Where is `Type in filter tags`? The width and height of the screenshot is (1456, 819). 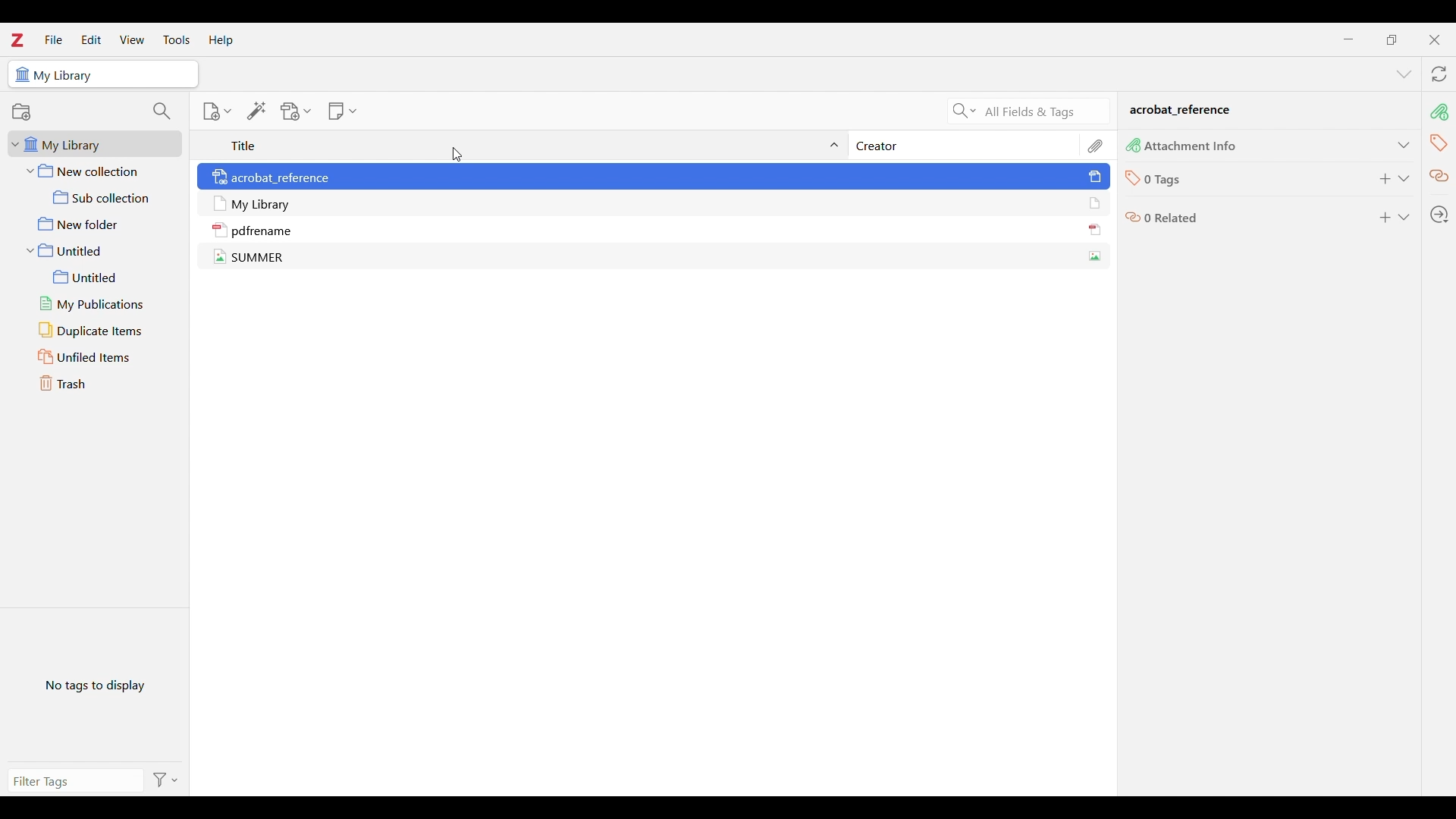 Type in filter tags is located at coordinates (65, 782).